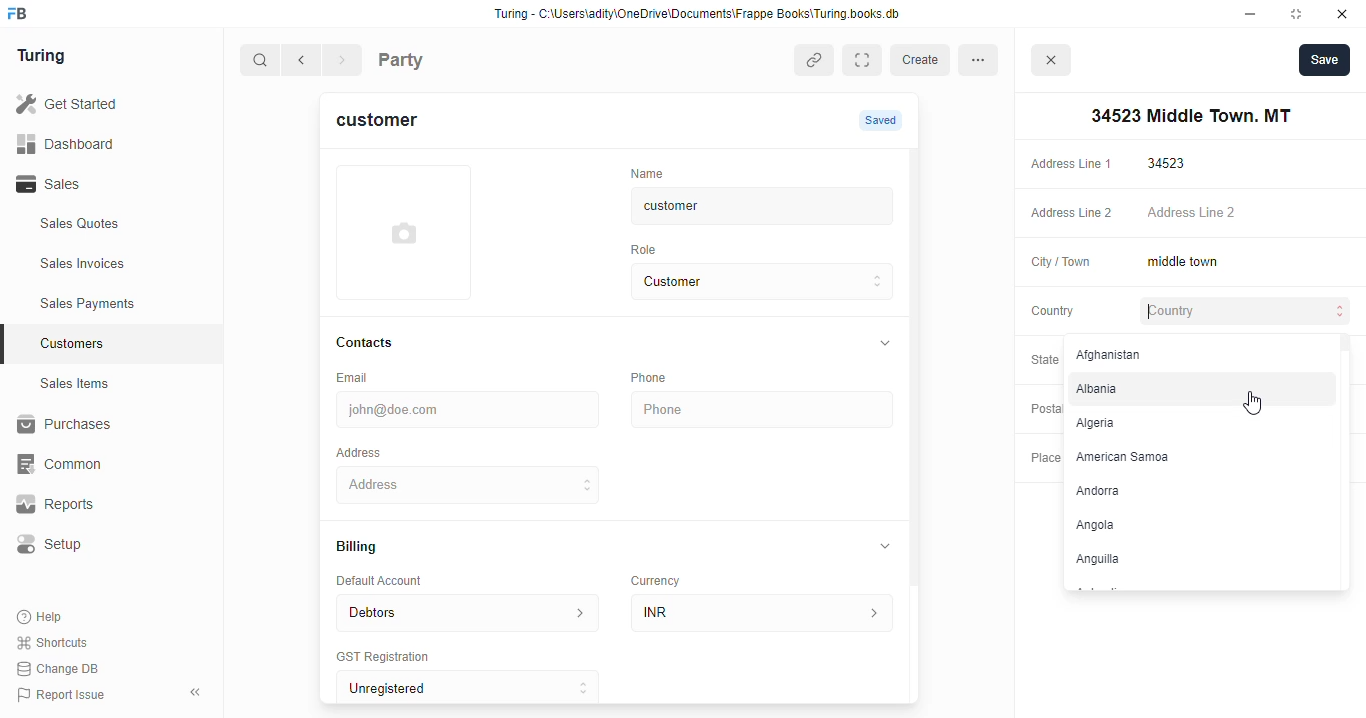  What do you see at coordinates (111, 384) in the screenshot?
I see `Sales Items.` at bounding box center [111, 384].